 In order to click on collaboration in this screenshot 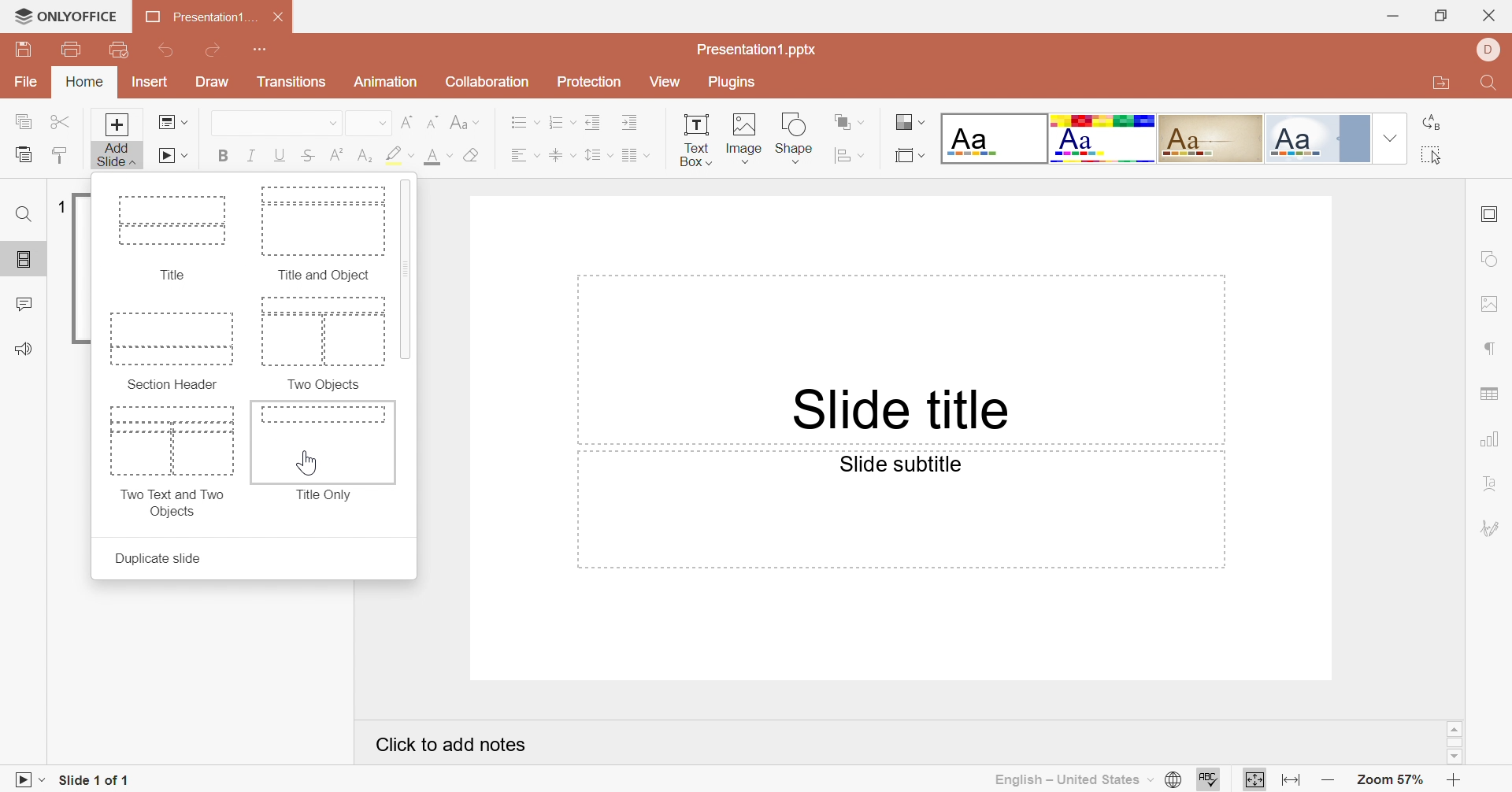, I will do `click(489, 83)`.